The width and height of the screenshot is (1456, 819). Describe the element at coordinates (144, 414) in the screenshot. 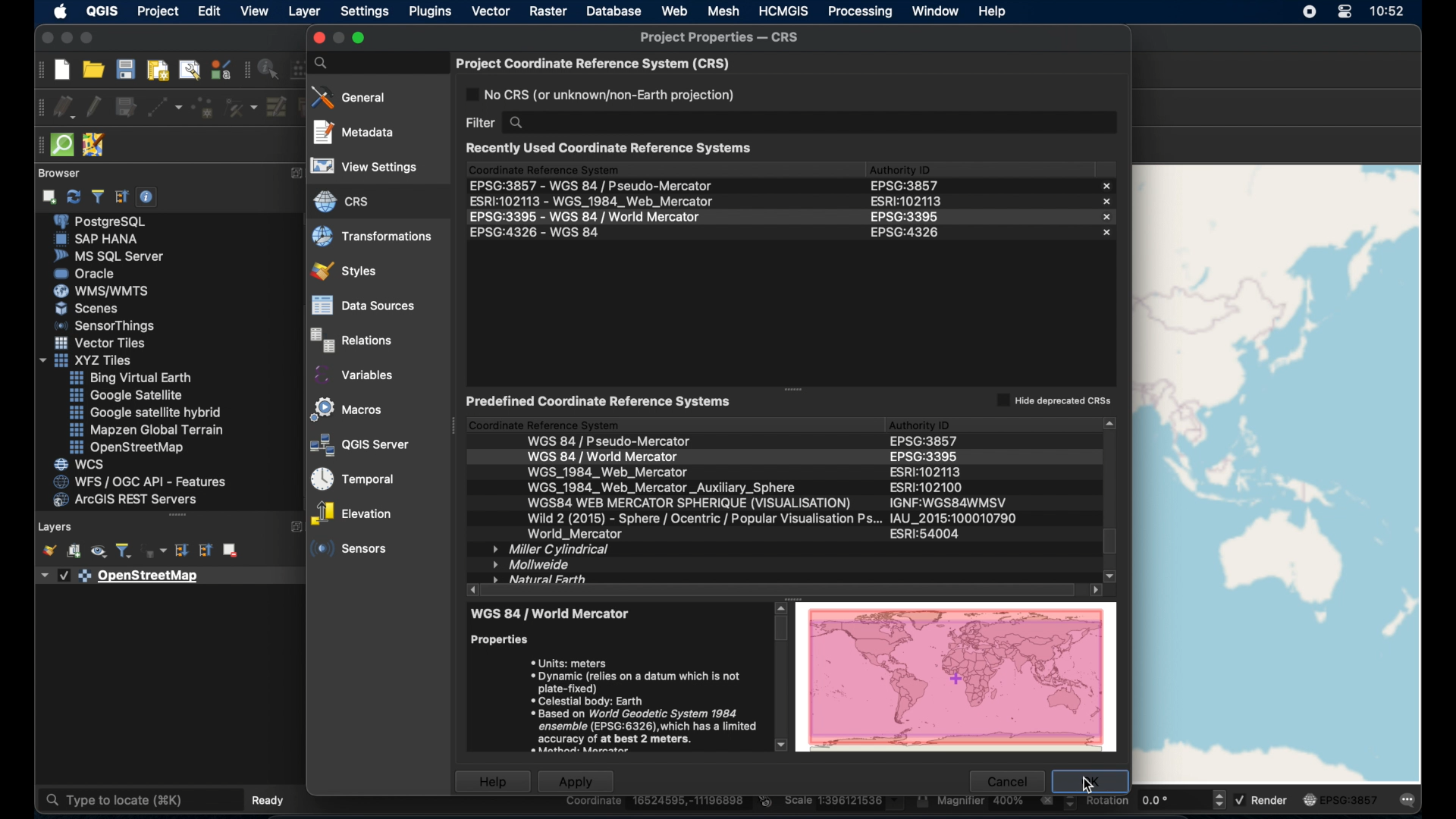

I see `google. satellite hybrid` at that location.